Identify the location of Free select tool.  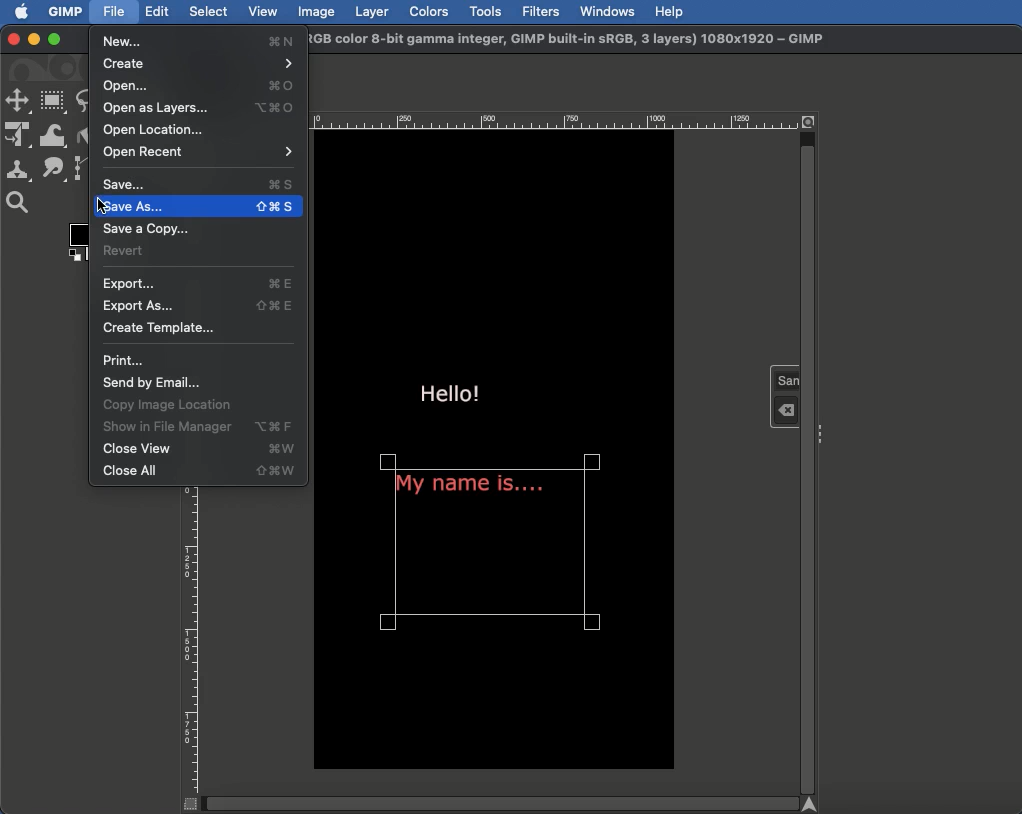
(89, 103).